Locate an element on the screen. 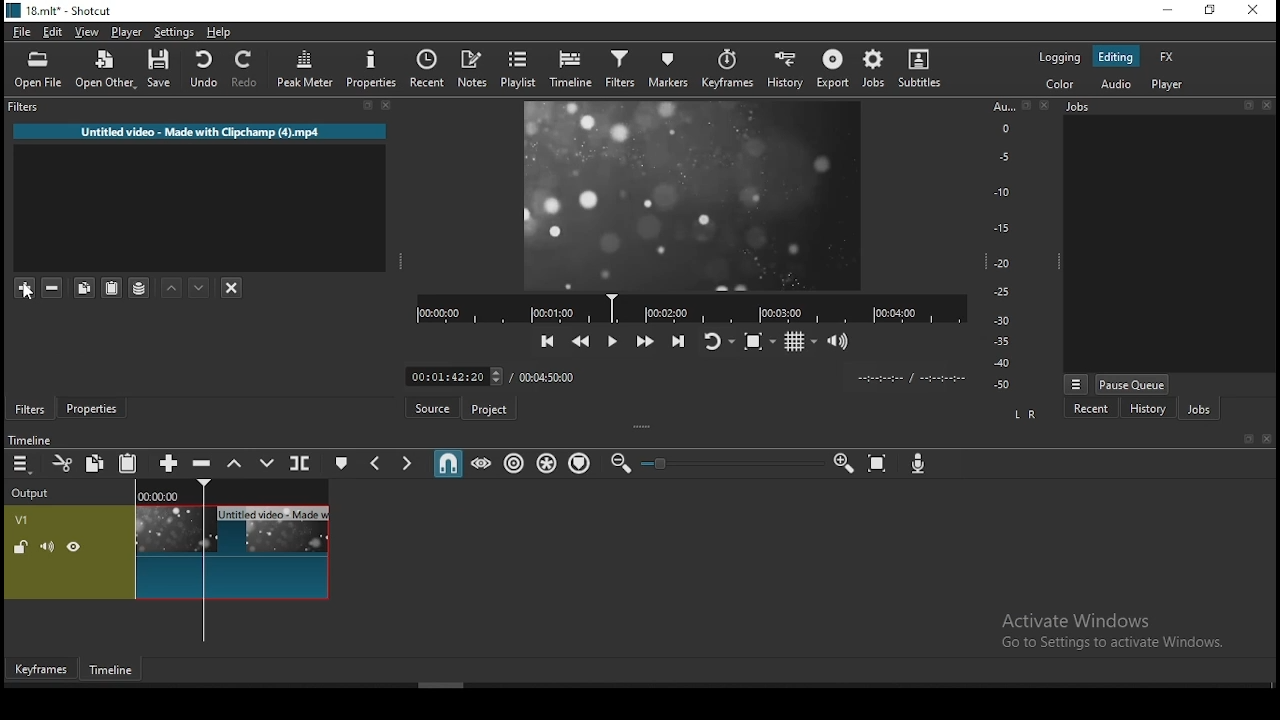 This screenshot has width=1280, height=720. next marker is located at coordinates (407, 461).